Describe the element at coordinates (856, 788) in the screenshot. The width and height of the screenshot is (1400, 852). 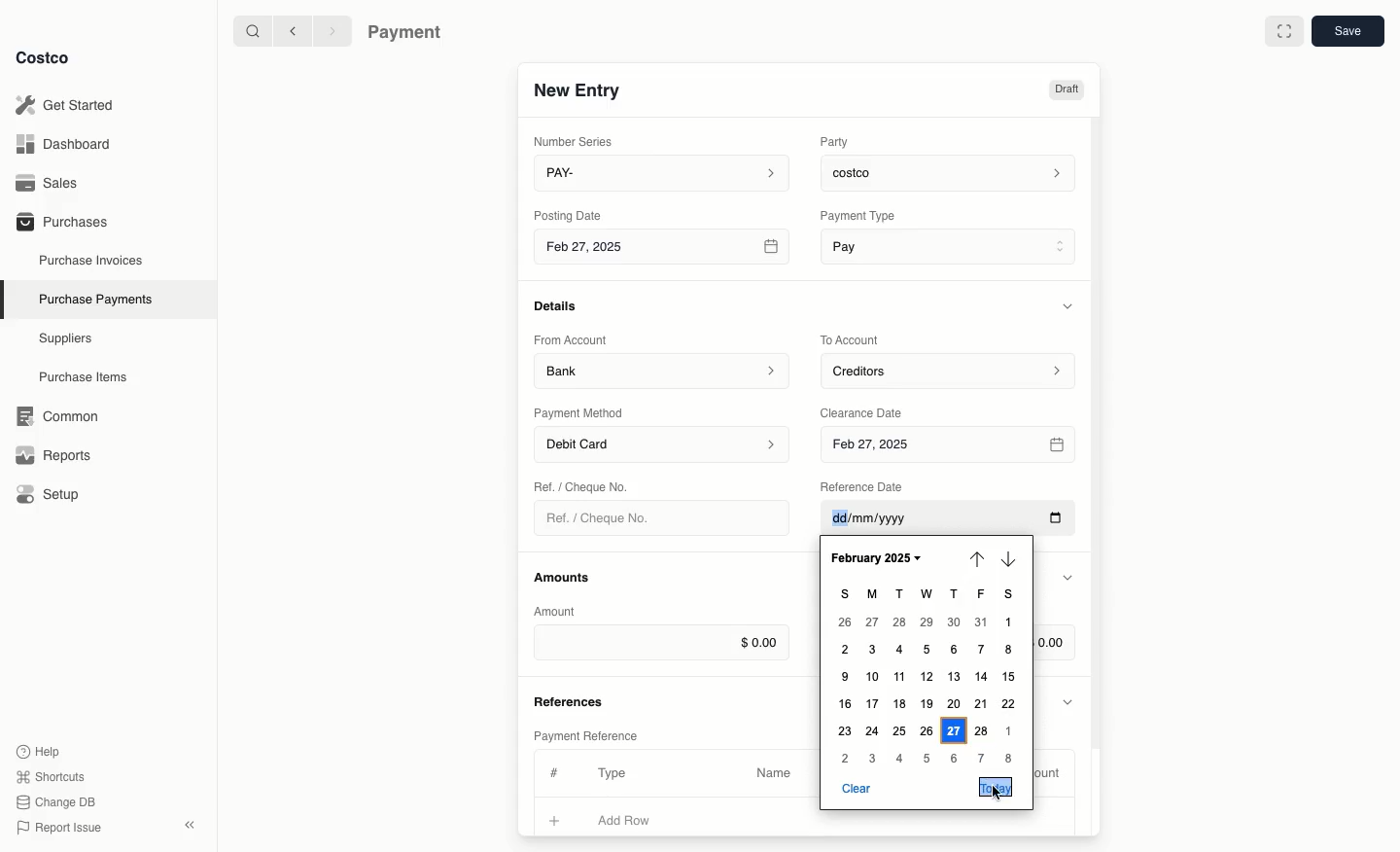
I see `Clear` at that location.